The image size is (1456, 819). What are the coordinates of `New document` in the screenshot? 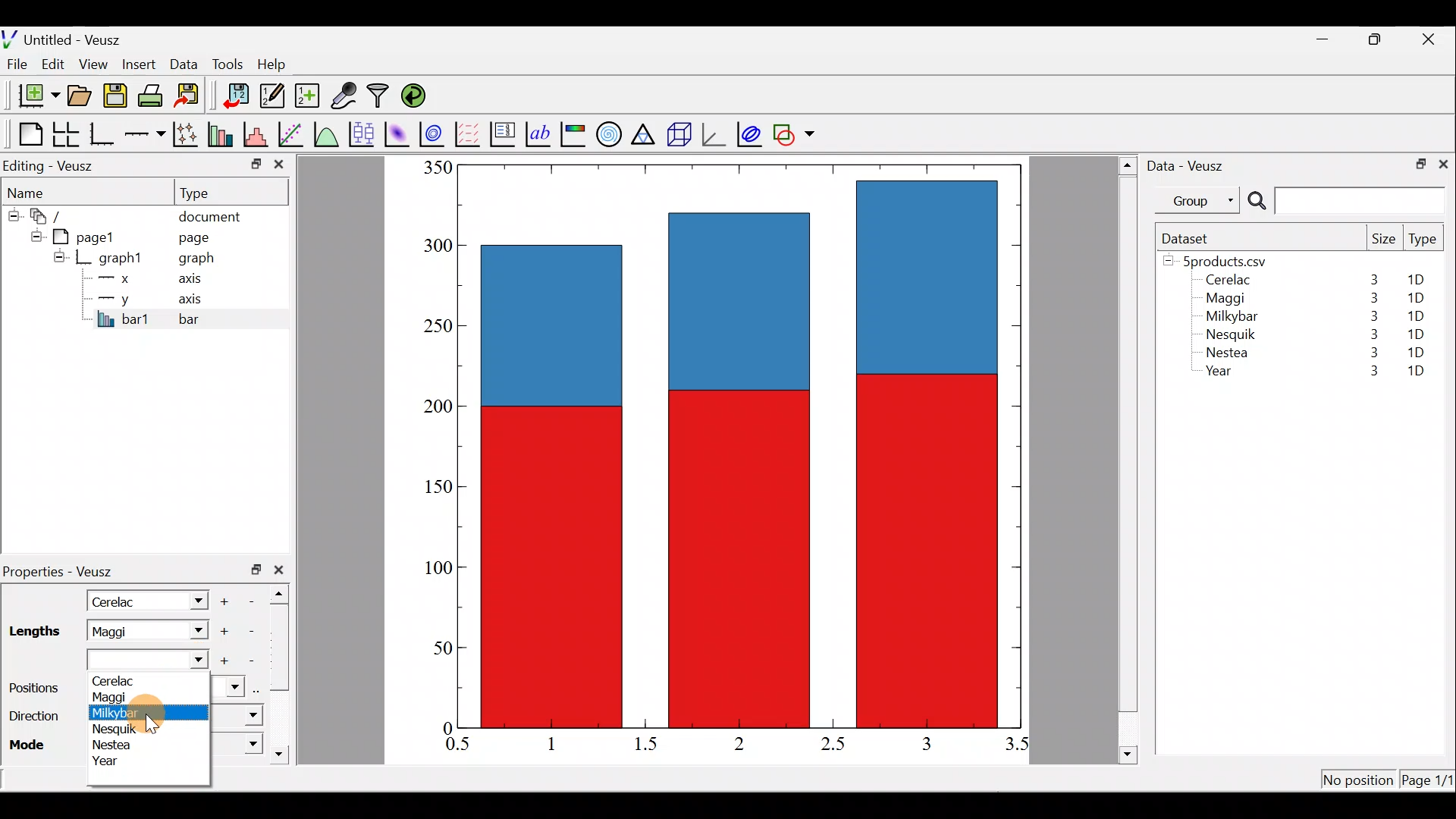 It's located at (33, 96).